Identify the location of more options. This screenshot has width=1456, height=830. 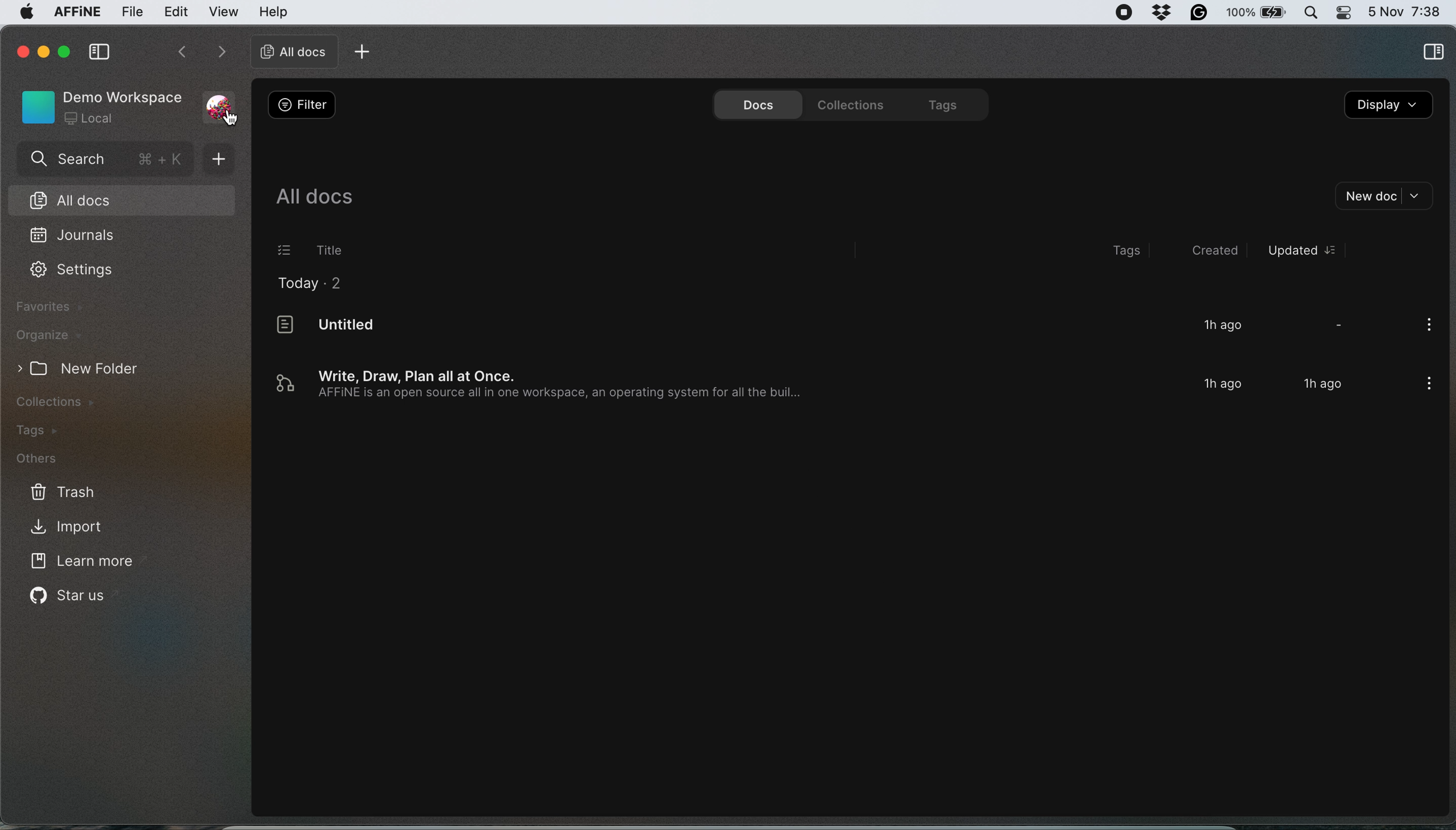
(1425, 385).